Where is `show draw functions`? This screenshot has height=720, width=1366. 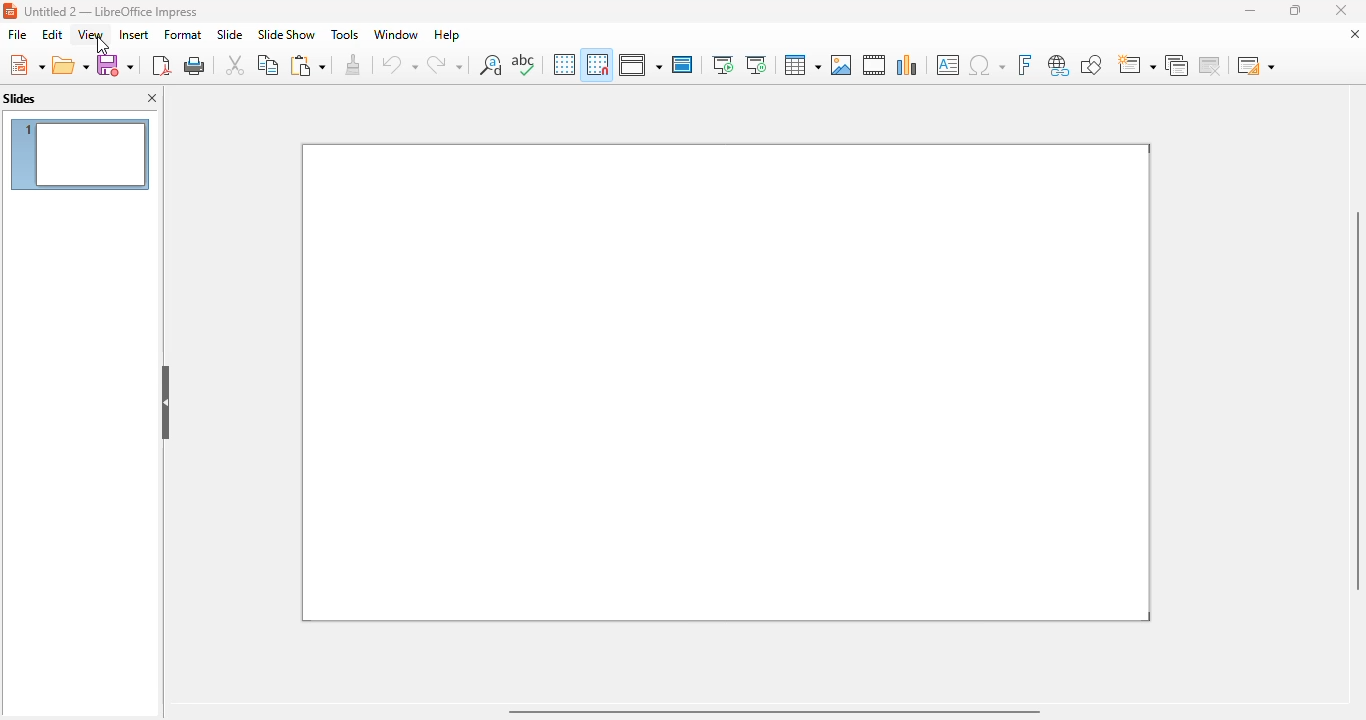
show draw functions is located at coordinates (1092, 64).